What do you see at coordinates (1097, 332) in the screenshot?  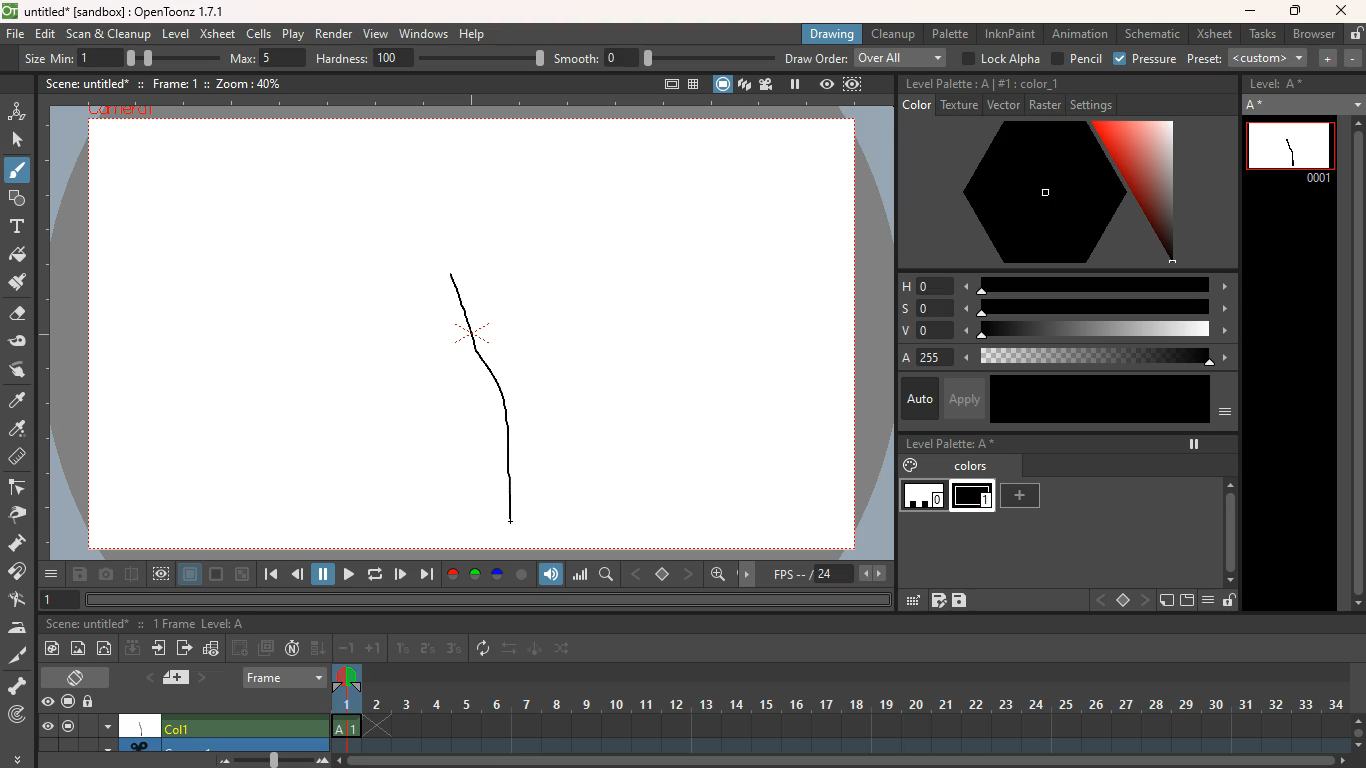 I see `scale` at bounding box center [1097, 332].